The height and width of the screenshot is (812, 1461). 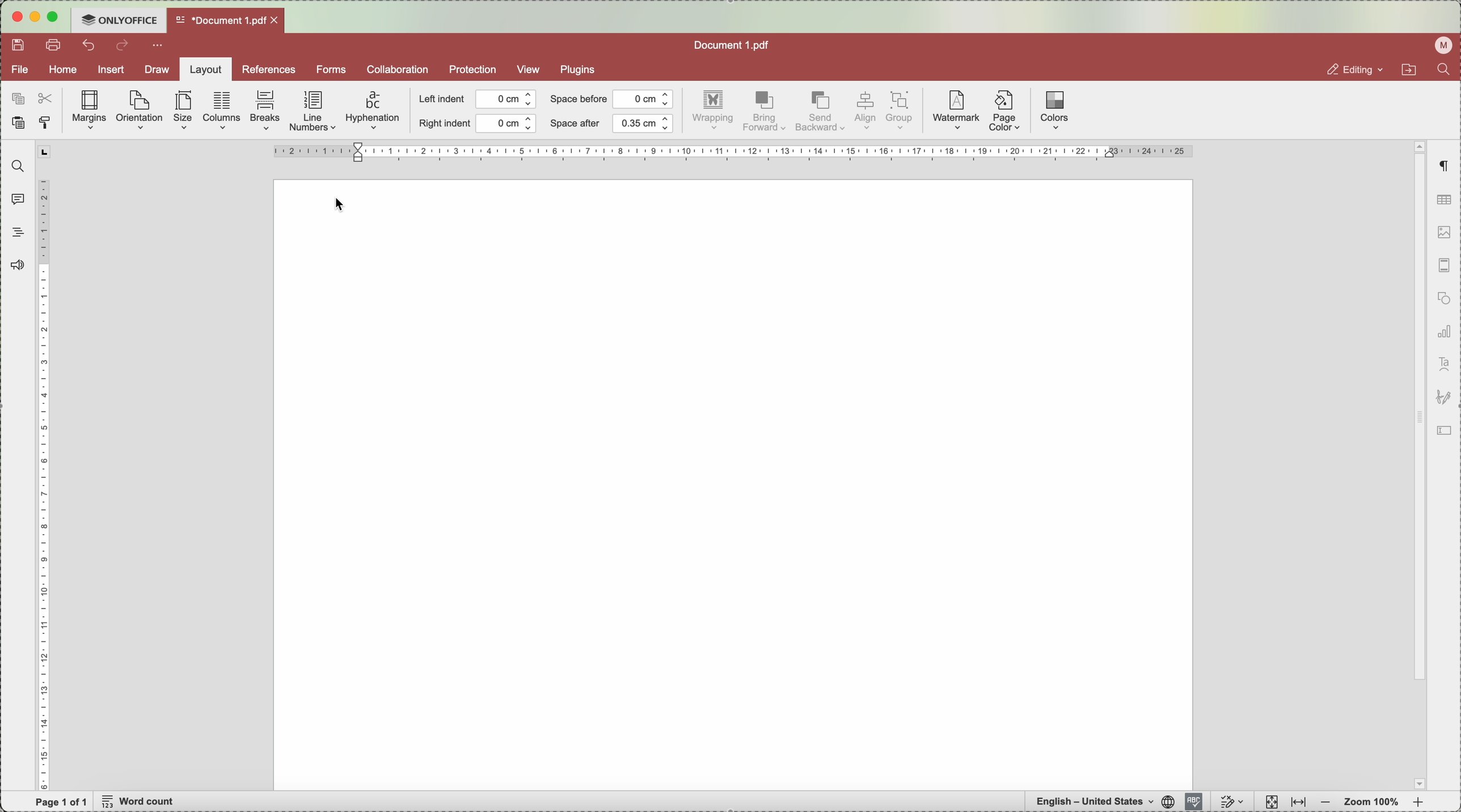 What do you see at coordinates (222, 109) in the screenshot?
I see `columns` at bounding box center [222, 109].